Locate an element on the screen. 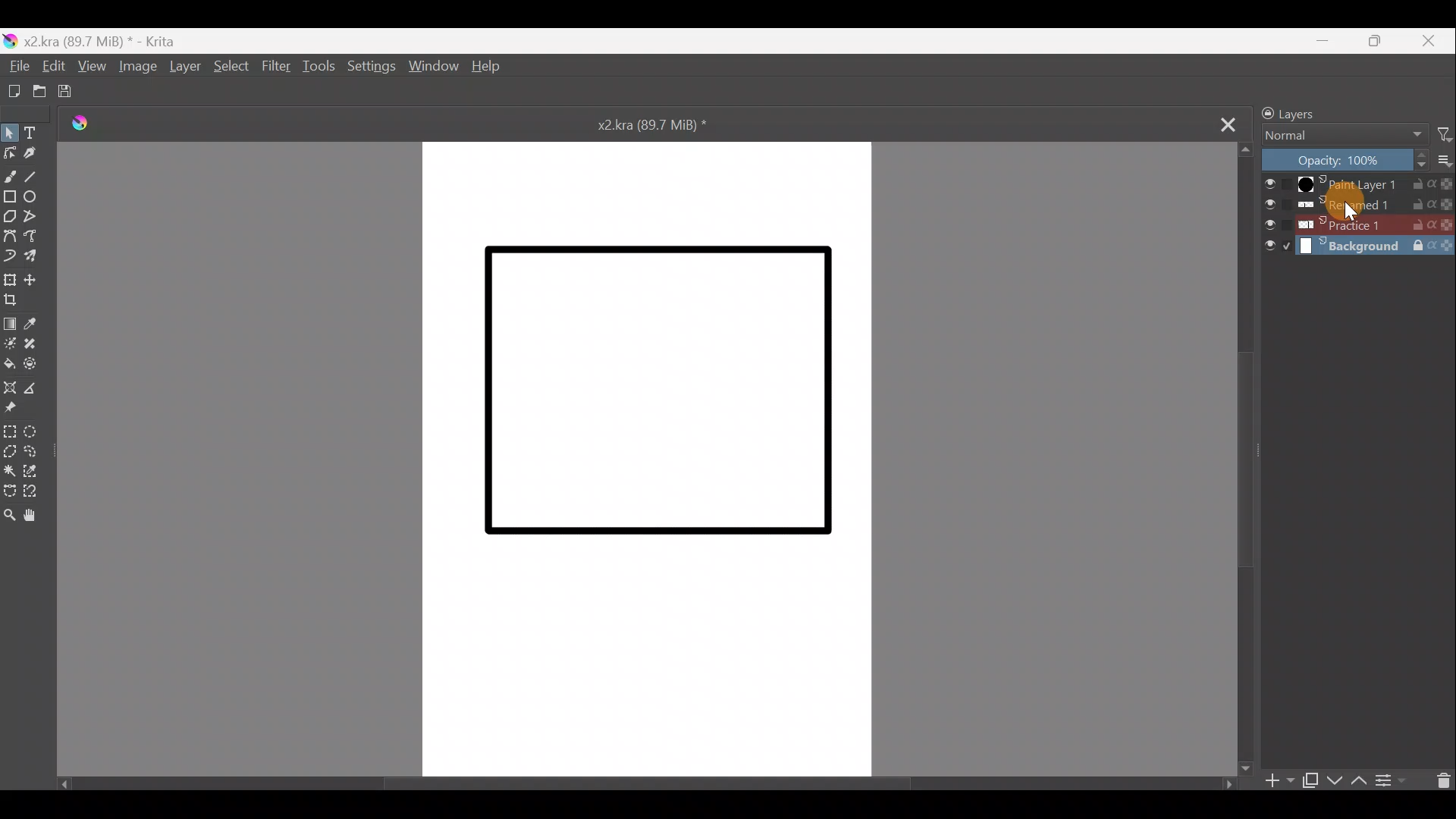 The width and height of the screenshot is (1456, 819). Normal Blending mode is located at coordinates (1341, 133).